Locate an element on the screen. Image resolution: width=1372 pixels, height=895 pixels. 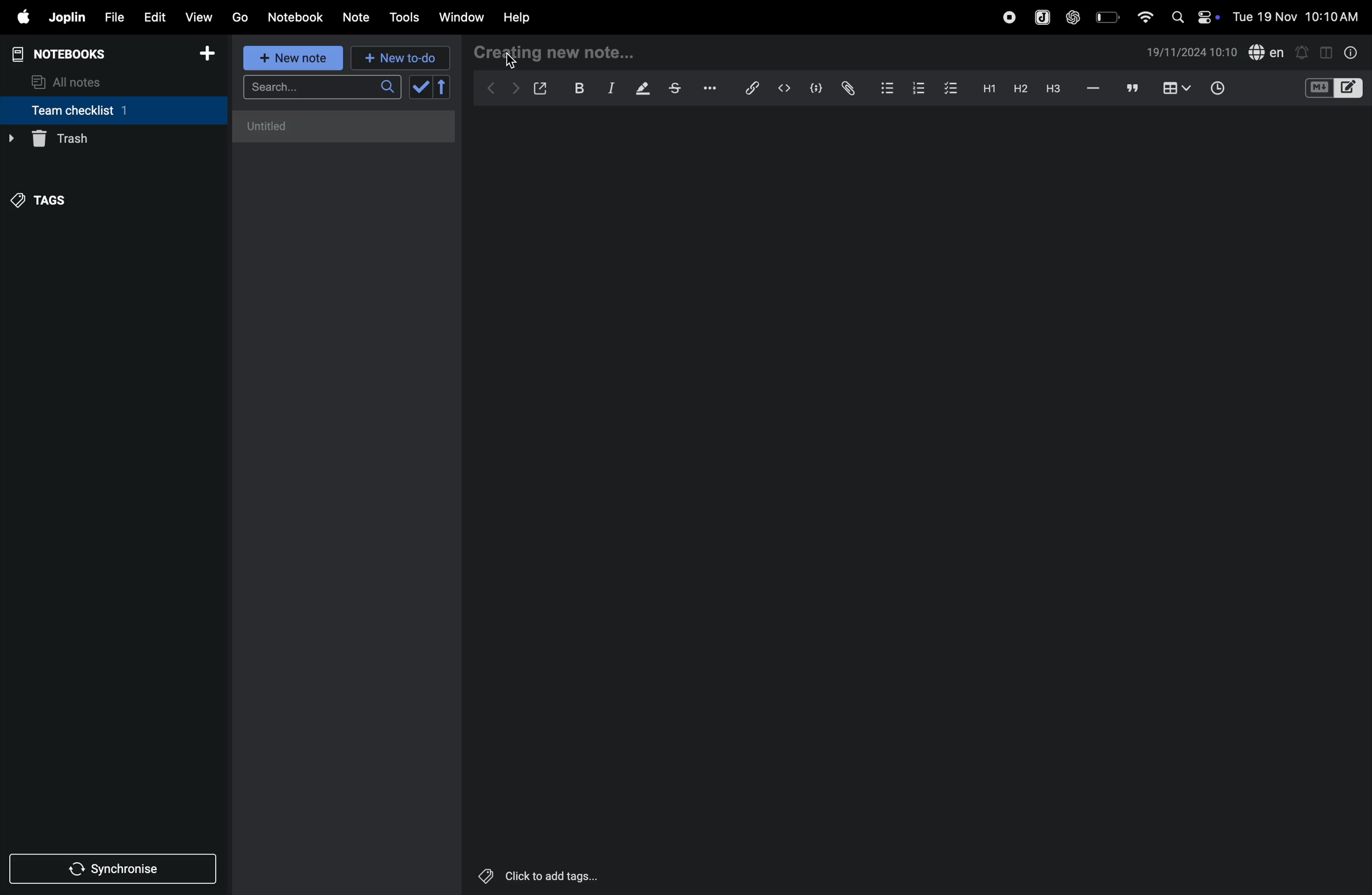
Click to add tags is located at coordinates (553, 876).